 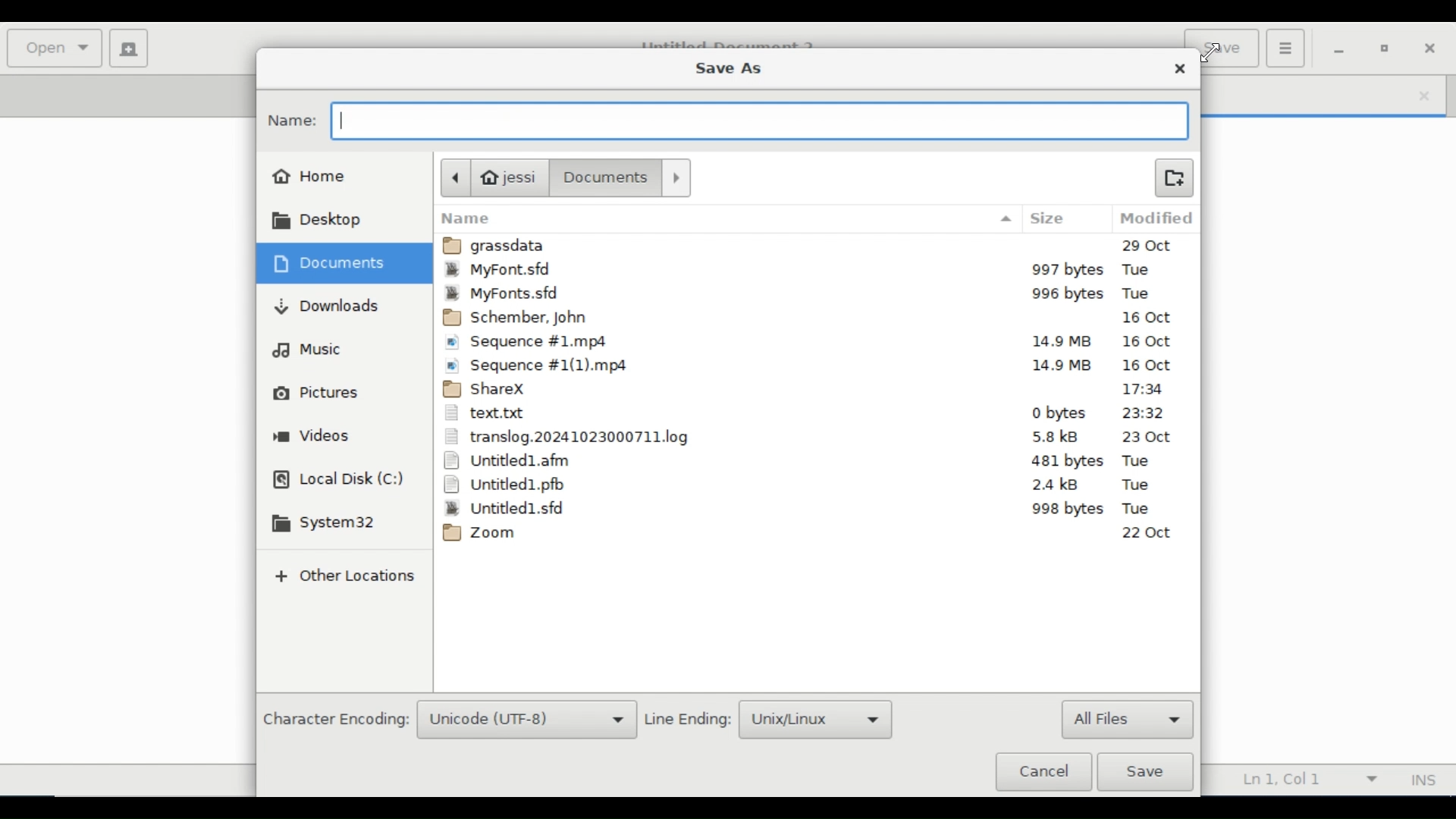 What do you see at coordinates (606, 177) in the screenshot?
I see `Document` at bounding box center [606, 177].